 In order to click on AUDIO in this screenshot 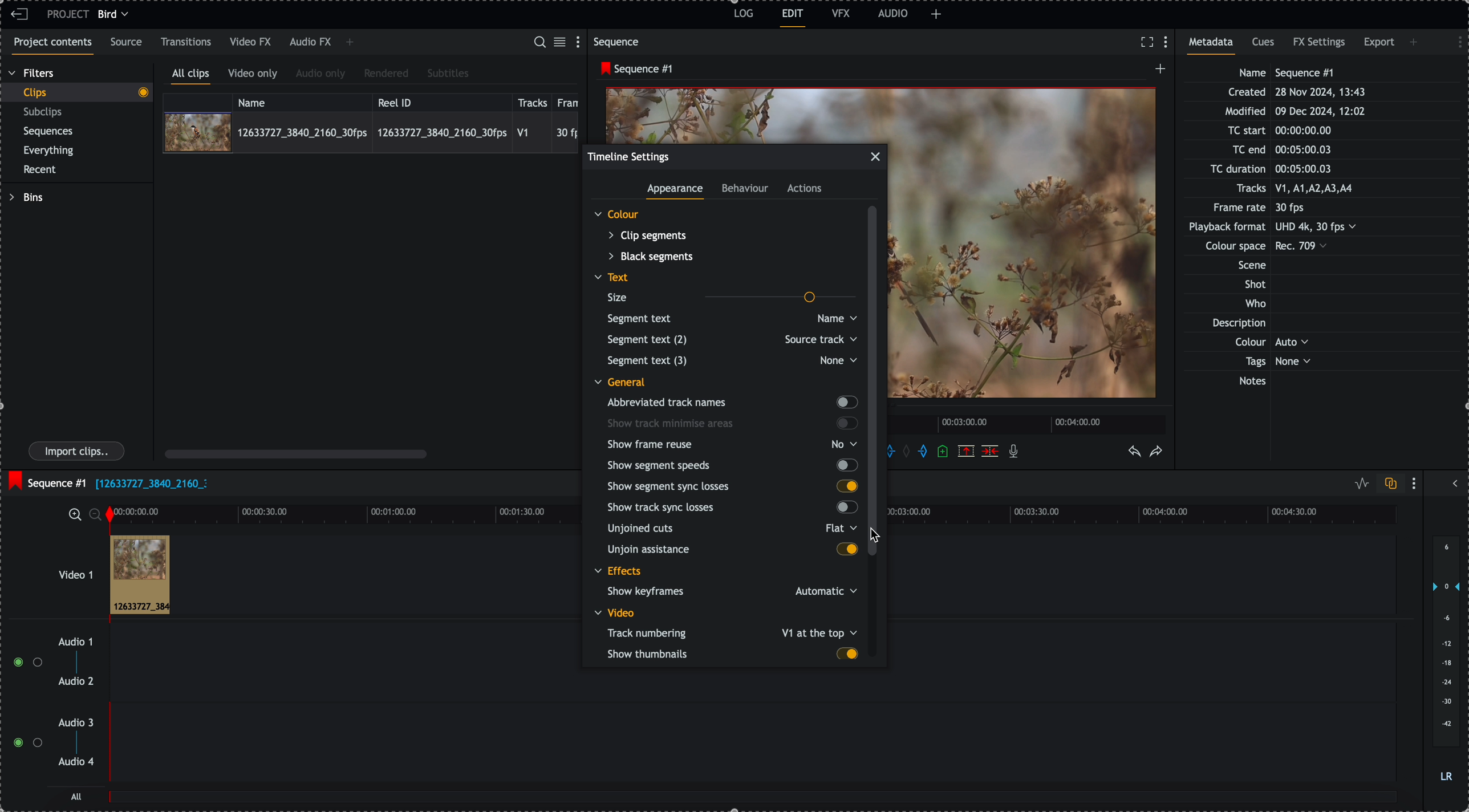, I will do `click(893, 13)`.